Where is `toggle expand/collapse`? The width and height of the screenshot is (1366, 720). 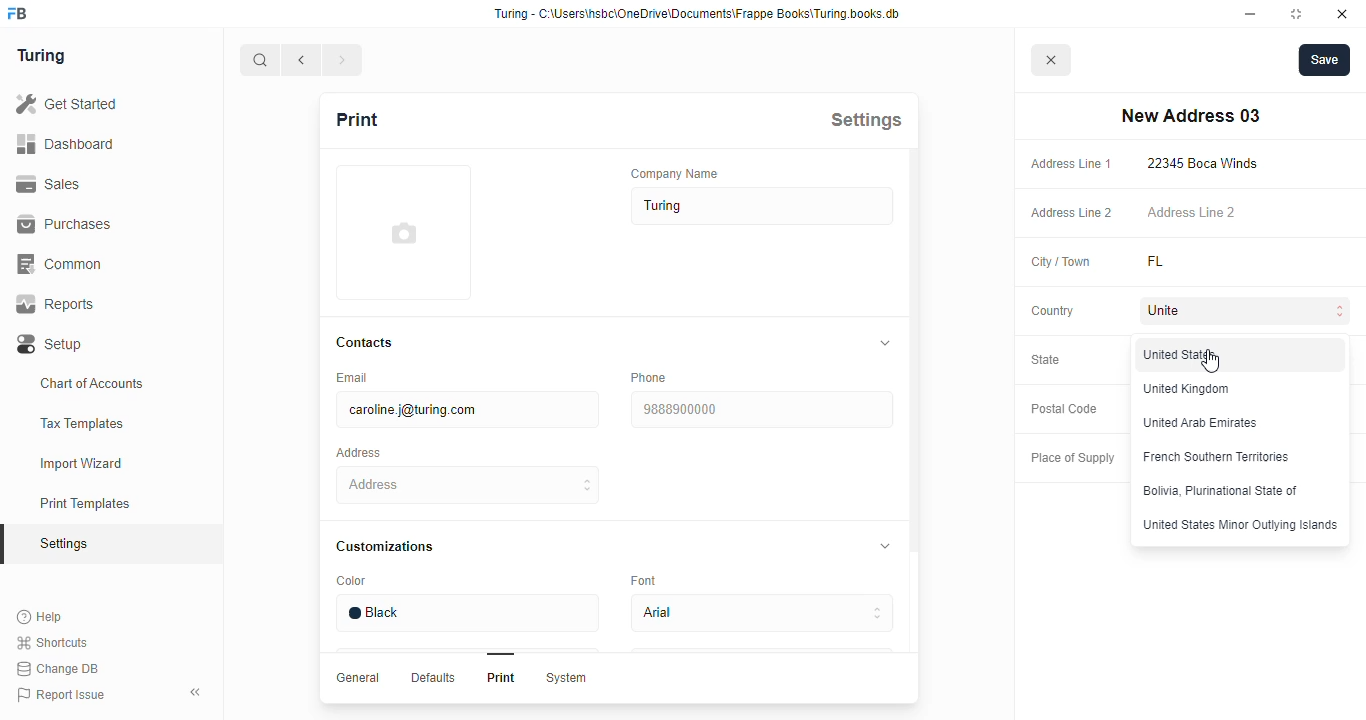
toggle expand/collapse is located at coordinates (881, 544).